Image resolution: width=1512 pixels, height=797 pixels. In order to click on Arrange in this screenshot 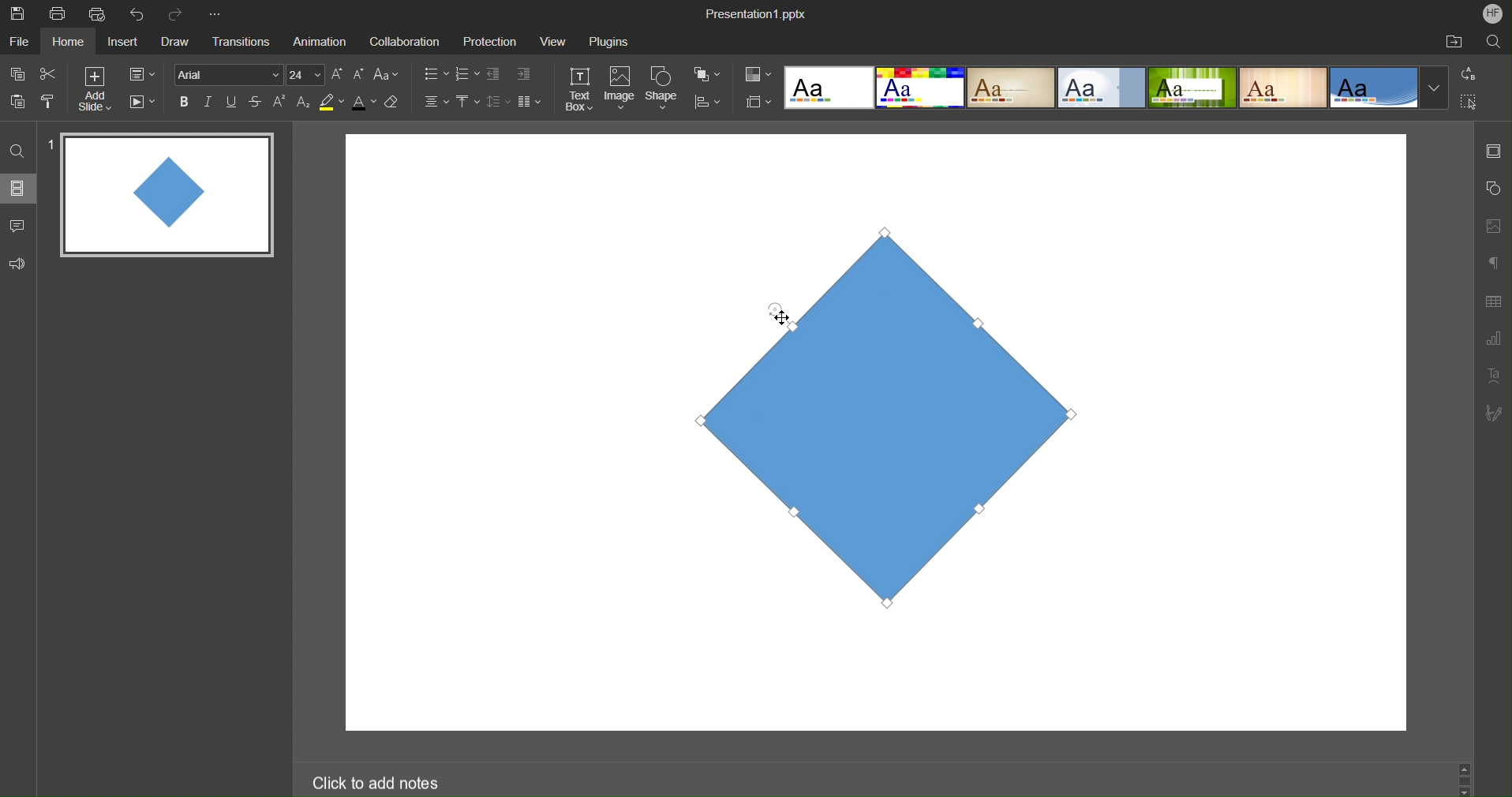, I will do `click(709, 74)`.